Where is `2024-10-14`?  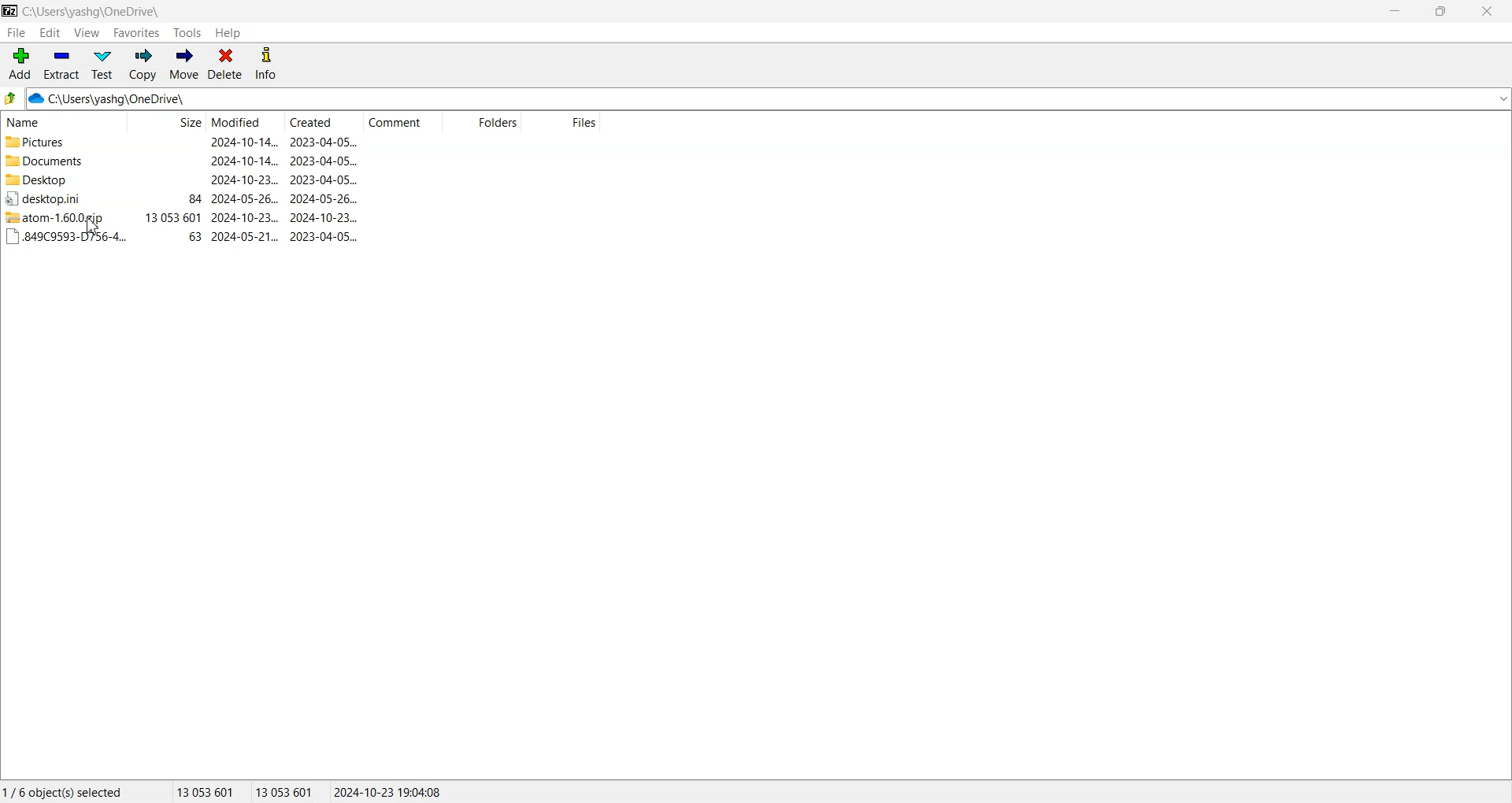 2024-10-14 is located at coordinates (243, 160).